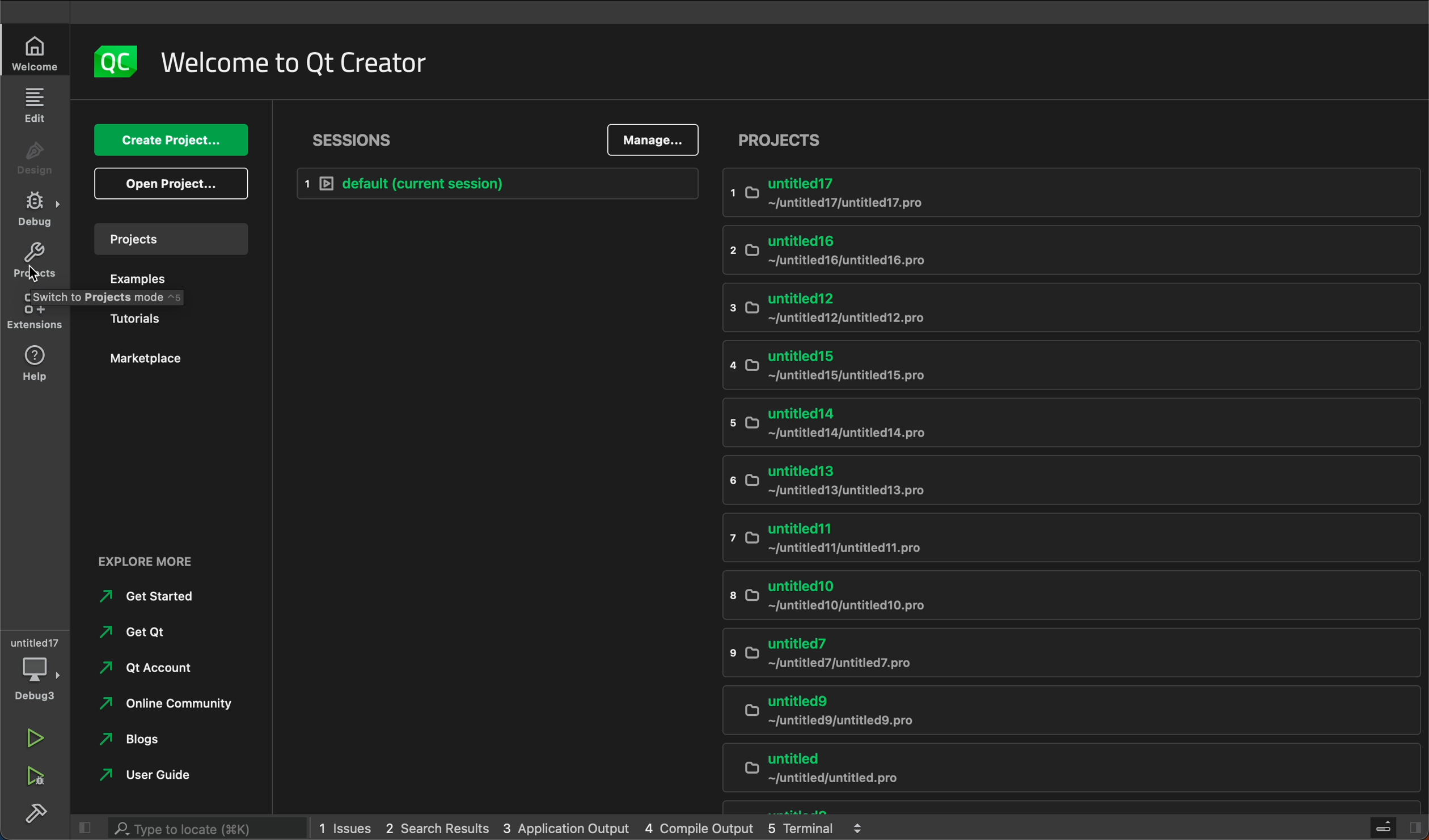 This screenshot has width=1429, height=840. I want to click on cursor, so click(34, 273).